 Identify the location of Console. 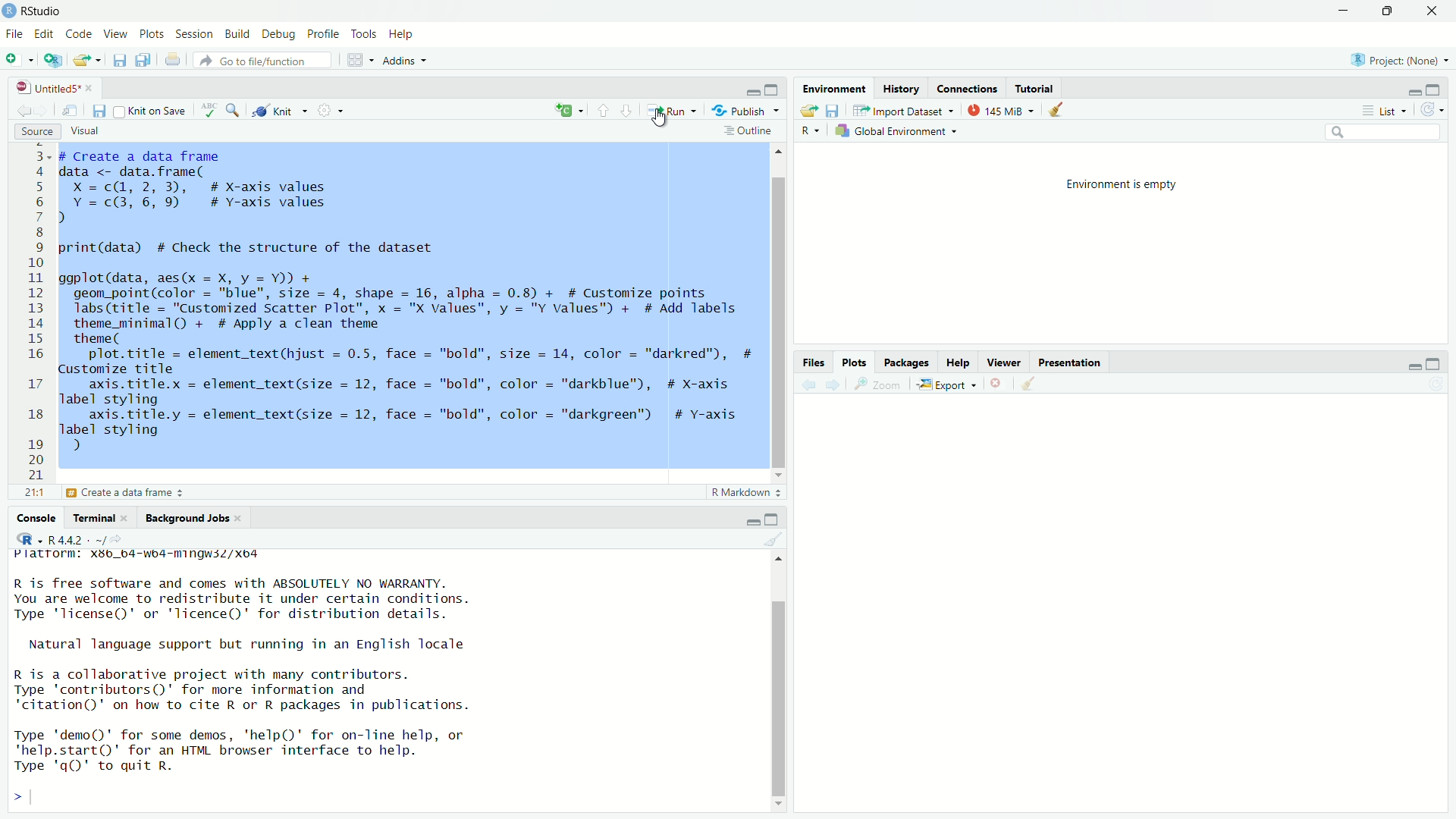
(38, 518).